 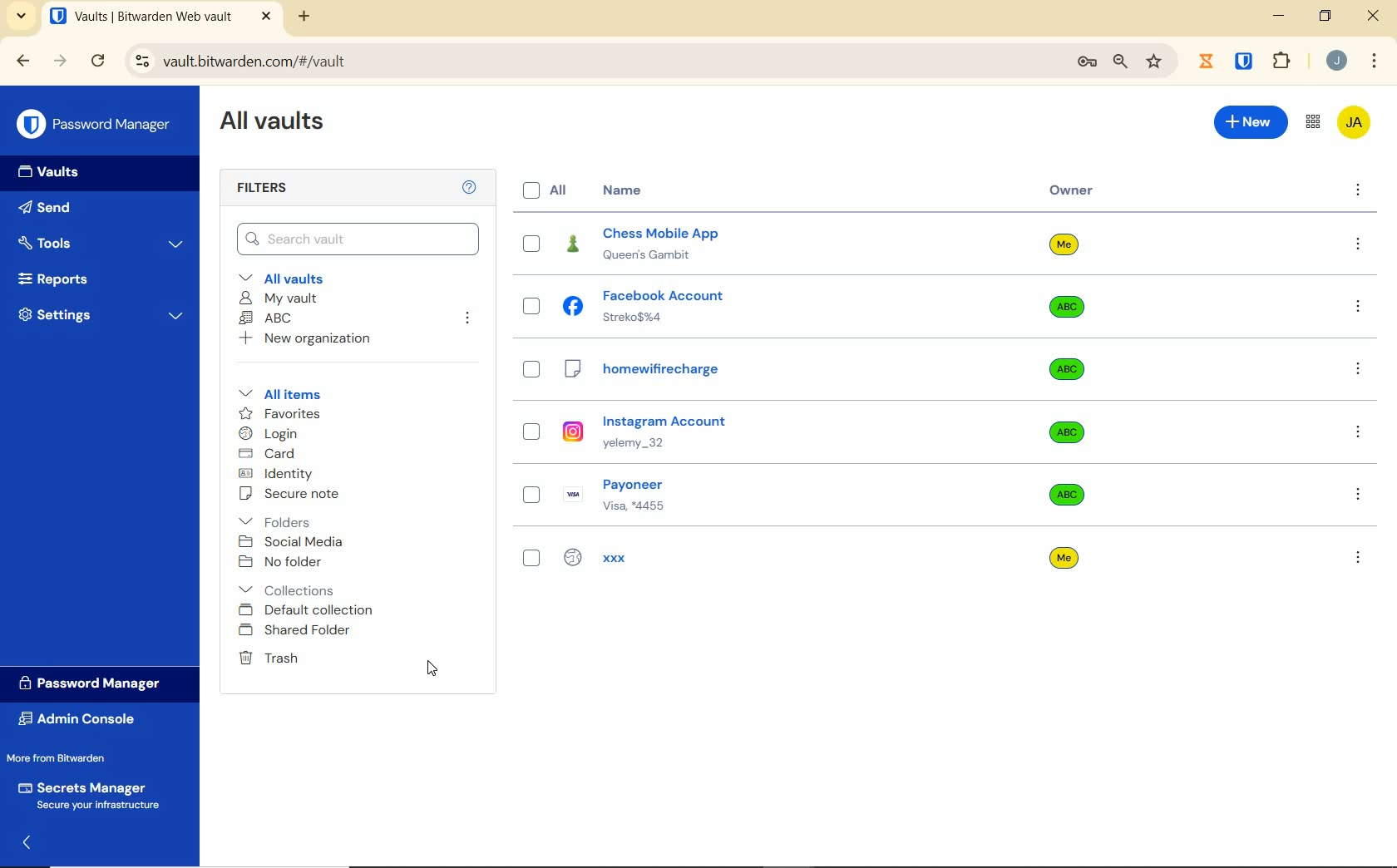 What do you see at coordinates (101, 240) in the screenshot?
I see `Tools` at bounding box center [101, 240].